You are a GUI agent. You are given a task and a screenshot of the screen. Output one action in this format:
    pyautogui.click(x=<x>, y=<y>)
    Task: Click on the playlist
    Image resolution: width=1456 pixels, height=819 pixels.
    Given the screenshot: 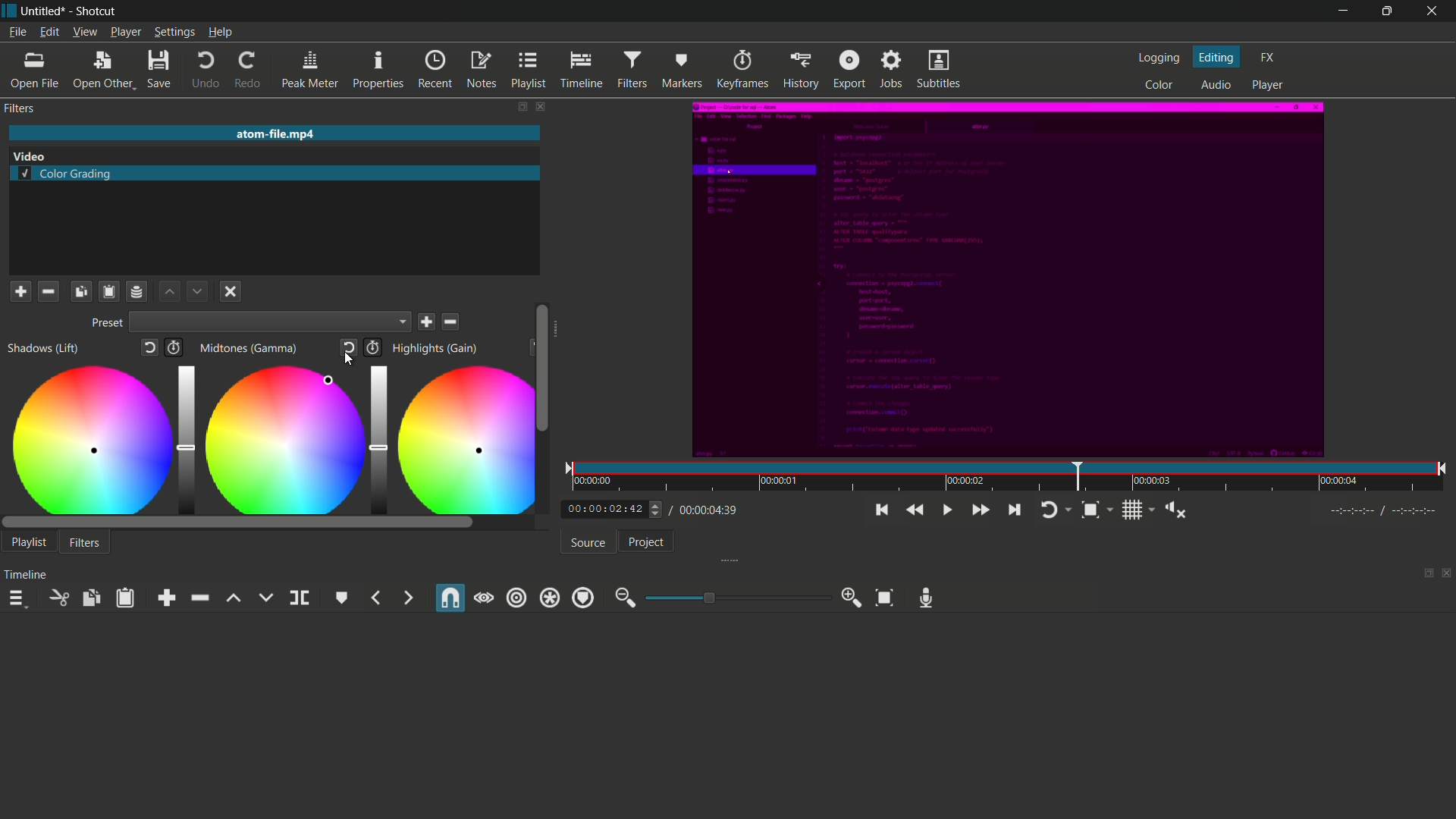 What is the action you would take?
    pyautogui.click(x=528, y=70)
    